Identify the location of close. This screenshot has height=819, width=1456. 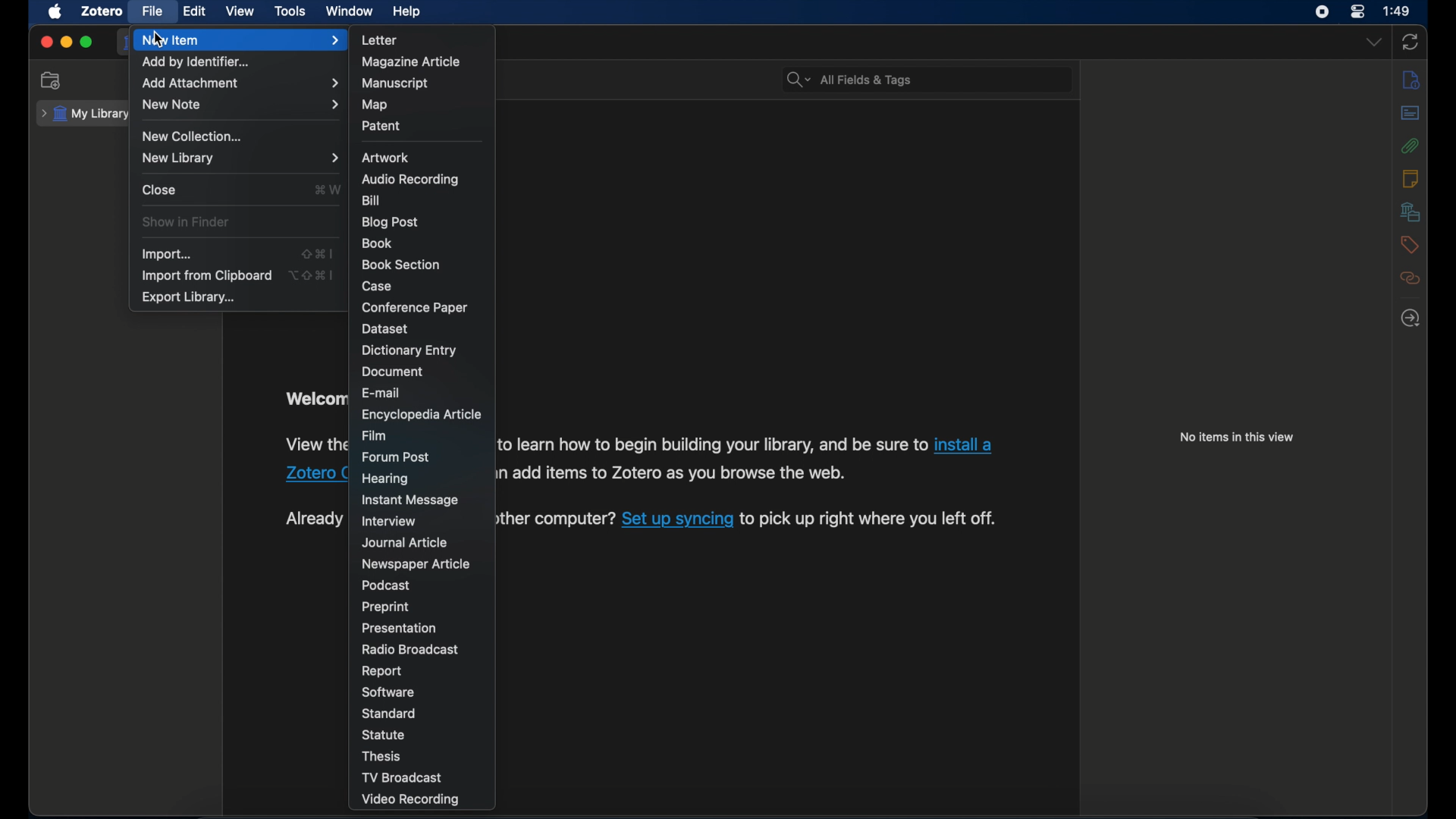
(45, 42).